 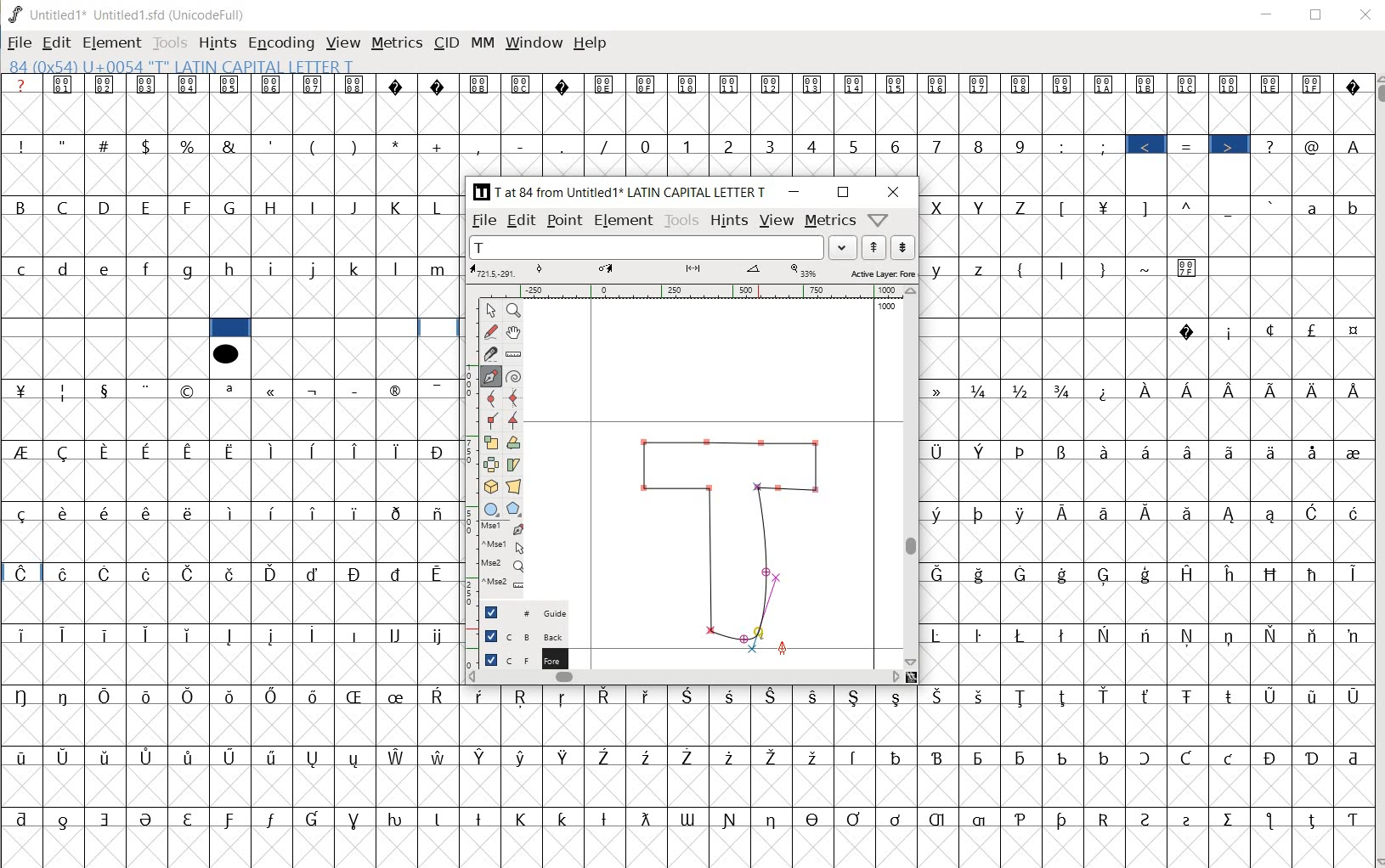 What do you see at coordinates (64, 391) in the screenshot?
I see `Symbol` at bounding box center [64, 391].